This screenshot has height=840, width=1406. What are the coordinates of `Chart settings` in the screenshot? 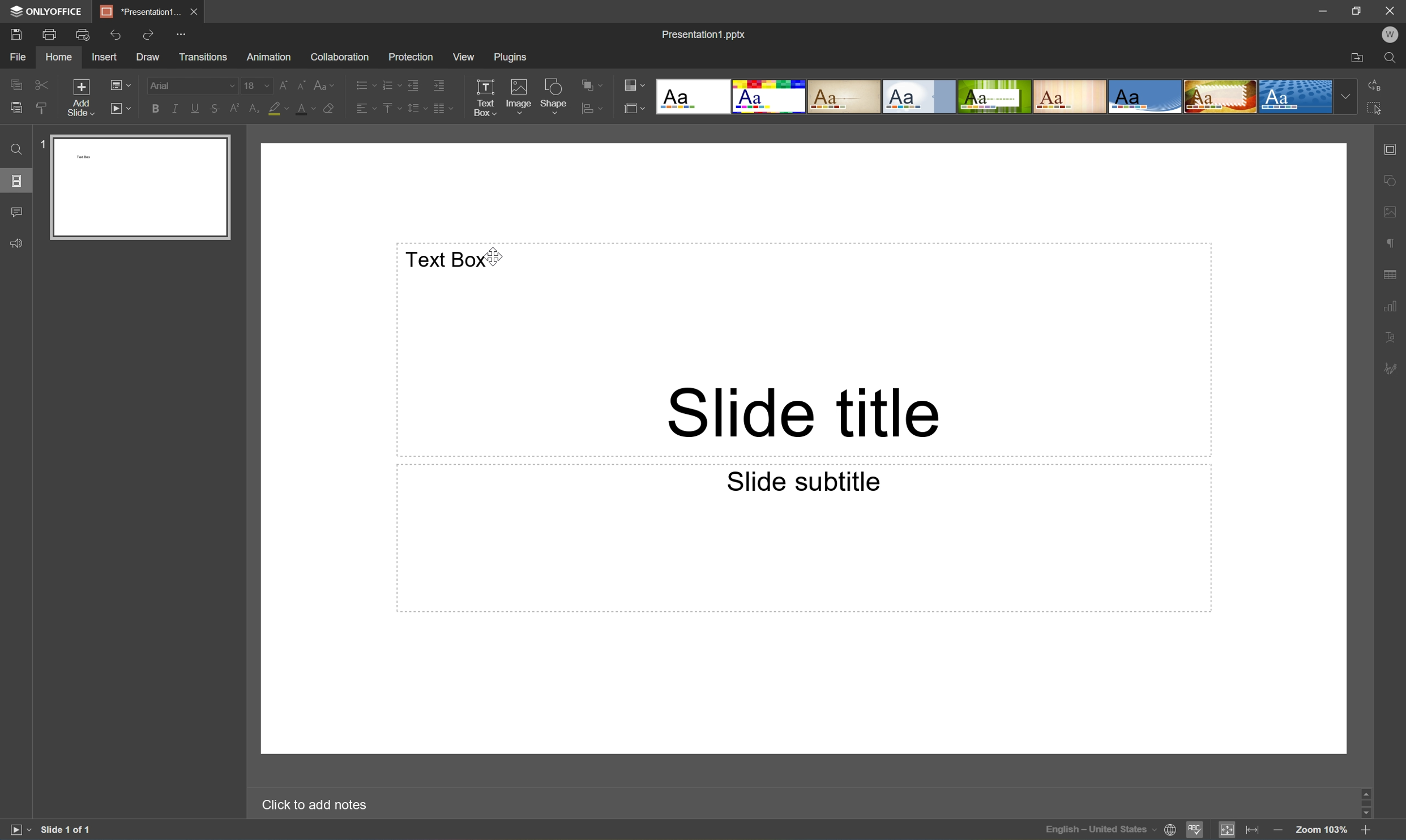 It's located at (1395, 310).